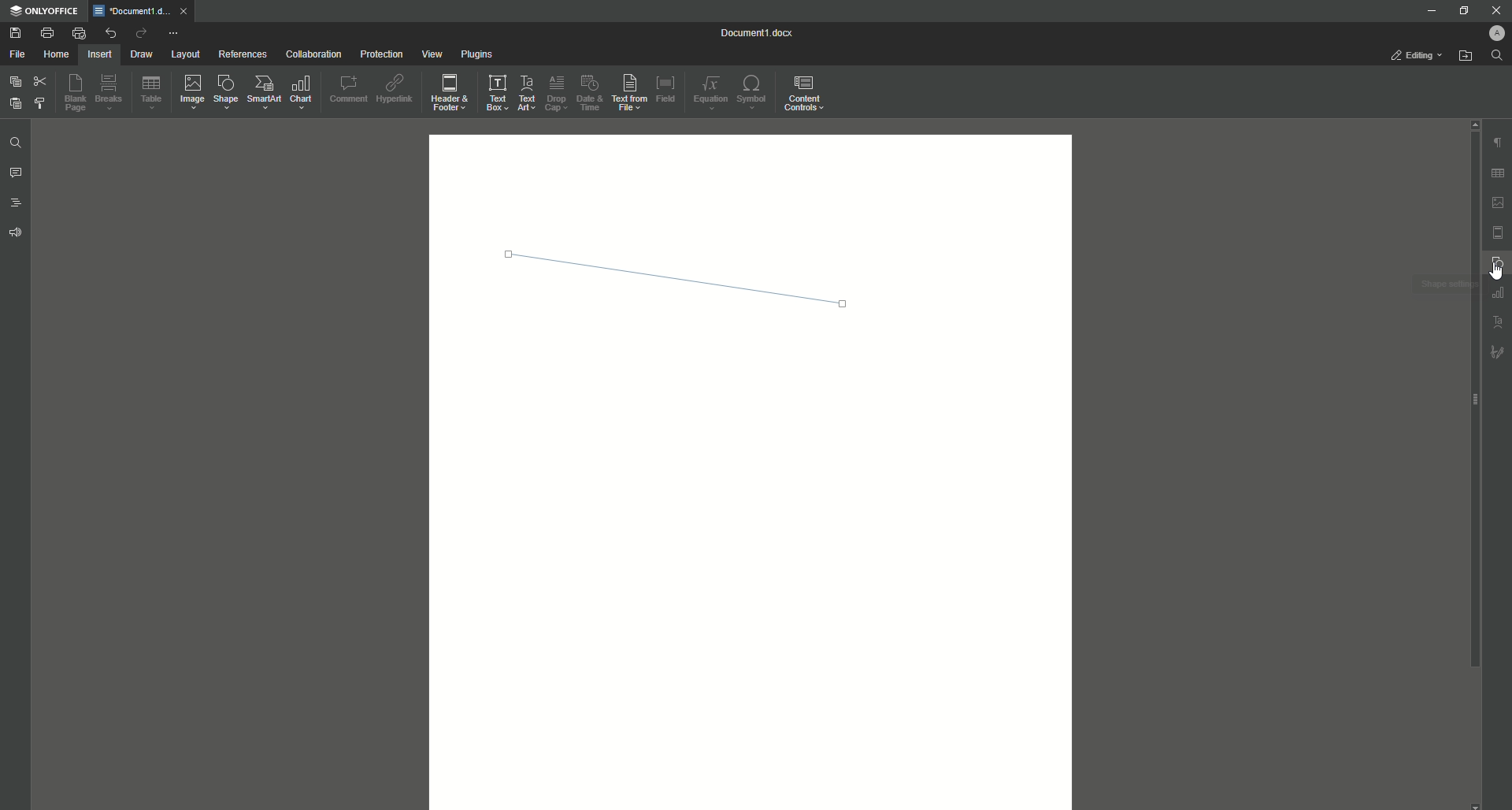  What do you see at coordinates (16, 33) in the screenshot?
I see `Save` at bounding box center [16, 33].